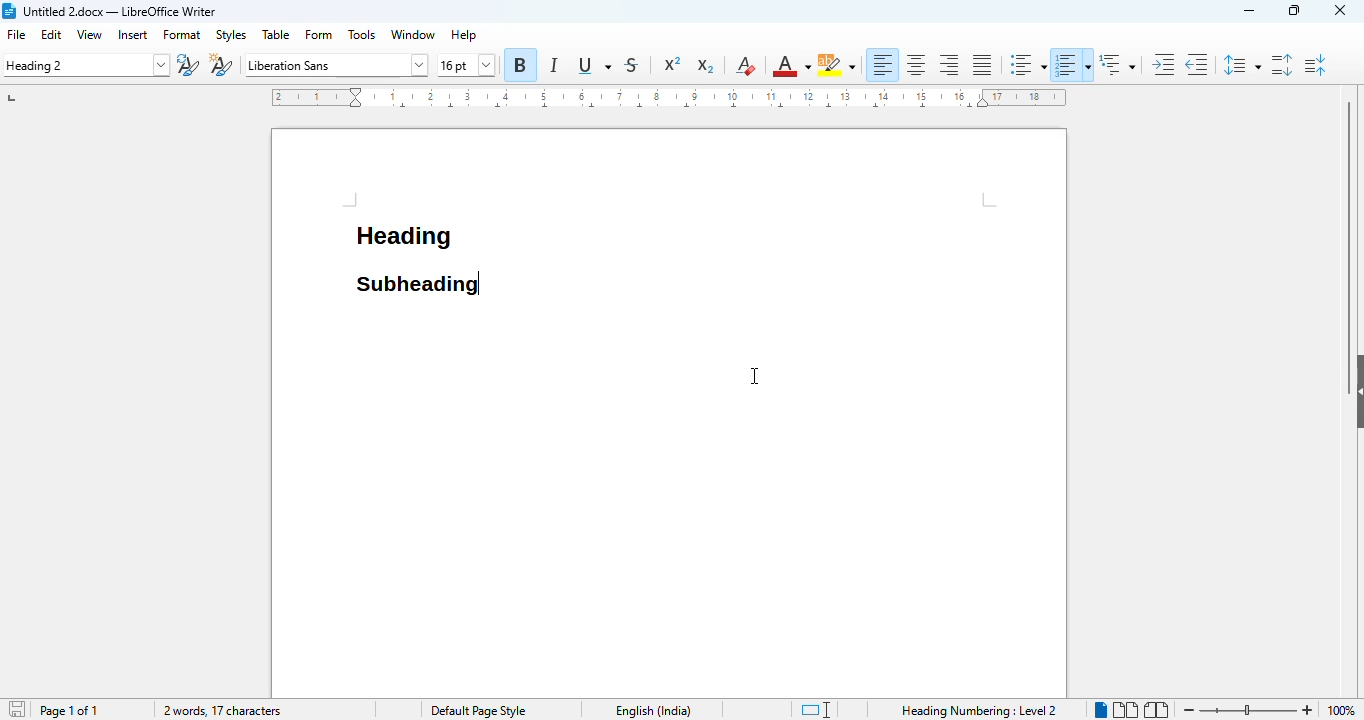 This screenshot has height=720, width=1364. What do you see at coordinates (1197, 64) in the screenshot?
I see `decrease indent` at bounding box center [1197, 64].